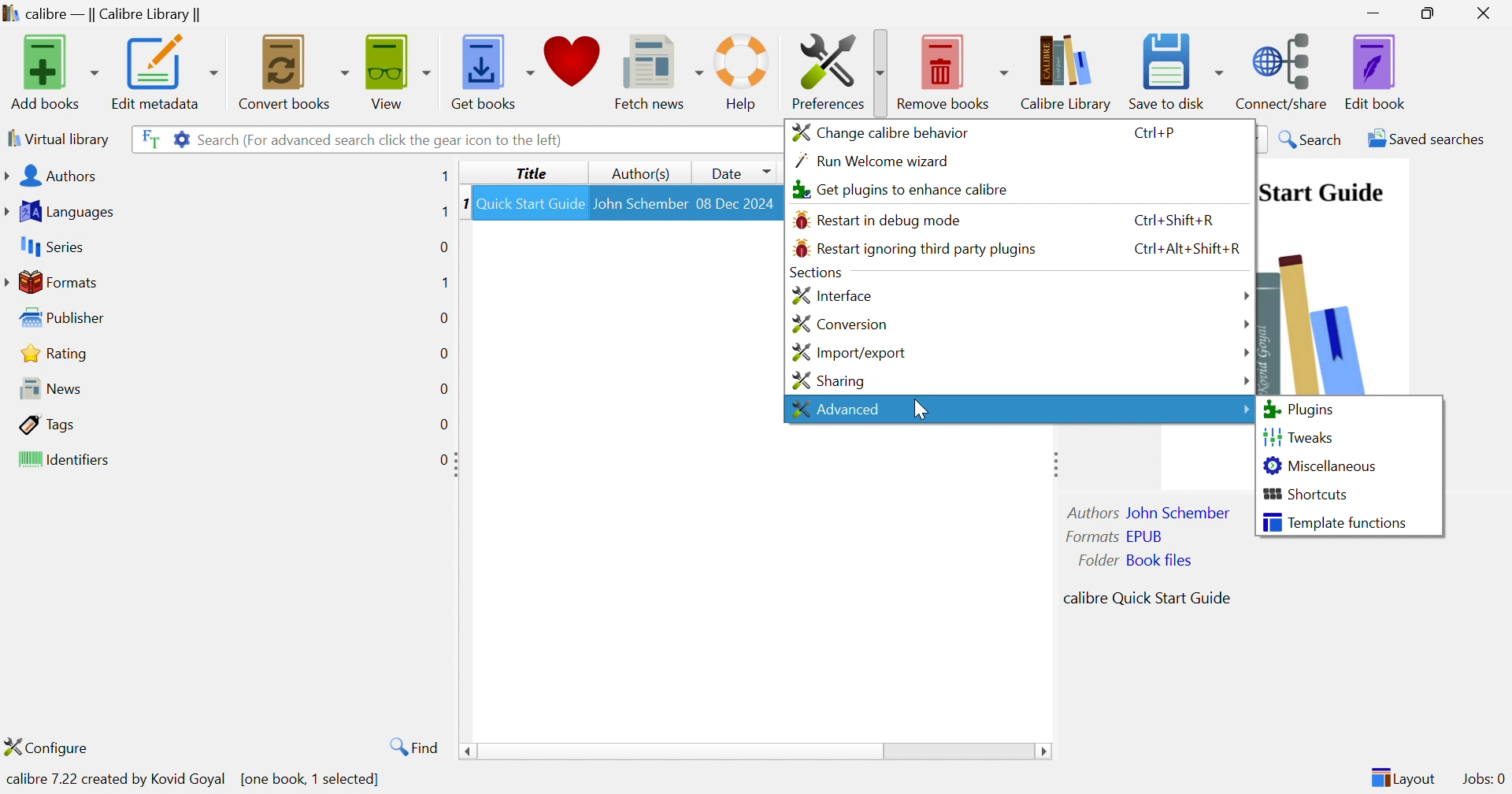  What do you see at coordinates (443, 245) in the screenshot?
I see `0` at bounding box center [443, 245].